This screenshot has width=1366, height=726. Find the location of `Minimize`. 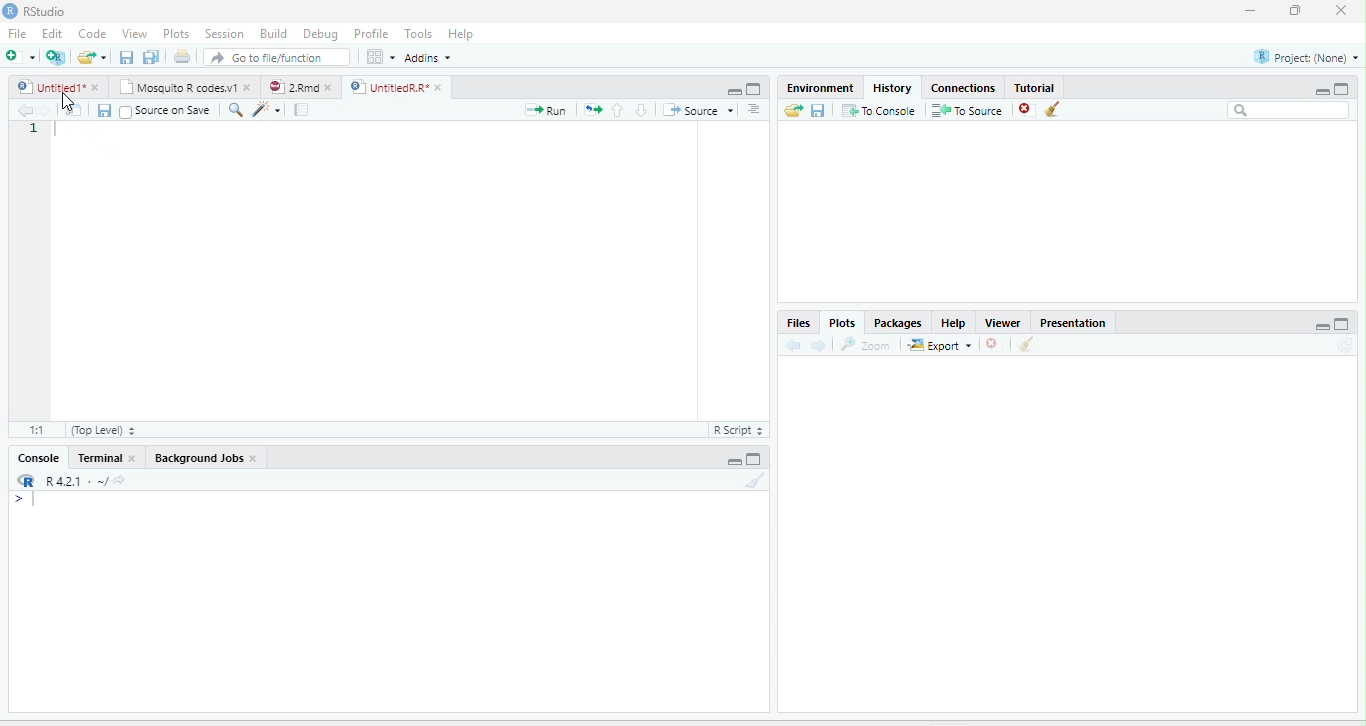

Minimize is located at coordinates (732, 462).